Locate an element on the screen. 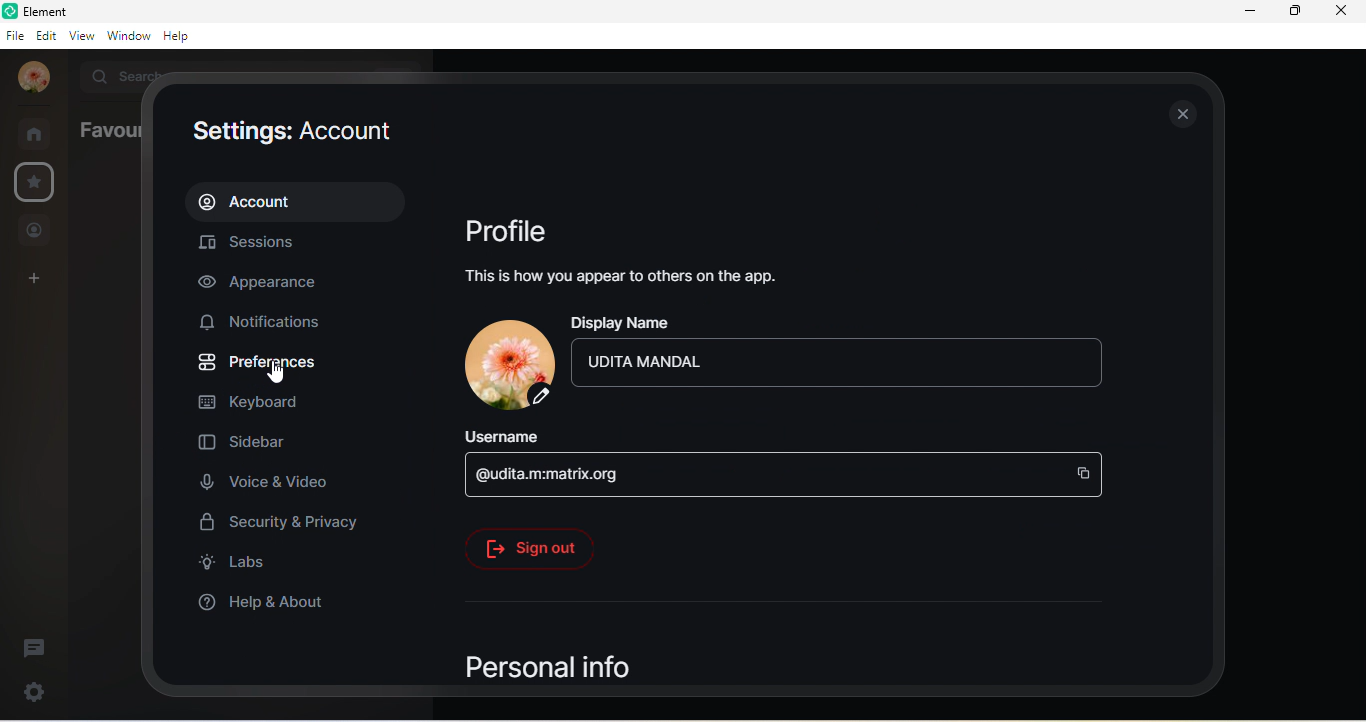  quick settings is located at coordinates (27, 692).